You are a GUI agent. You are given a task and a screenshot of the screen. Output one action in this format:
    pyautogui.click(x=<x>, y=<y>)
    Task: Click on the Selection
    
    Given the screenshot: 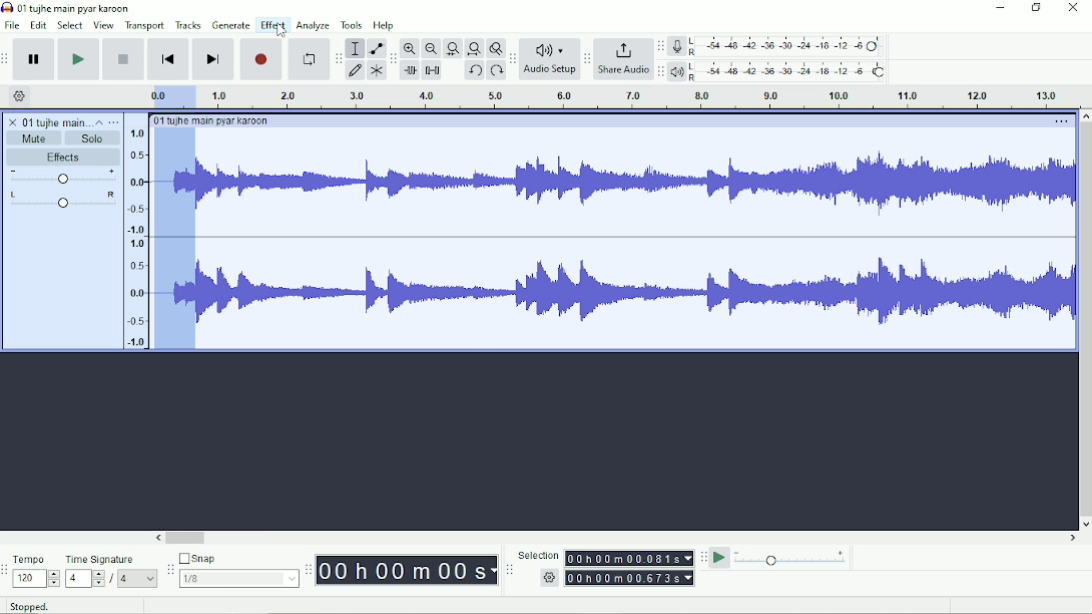 What is the action you would take?
    pyautogui.click(x=538, y=555)
    